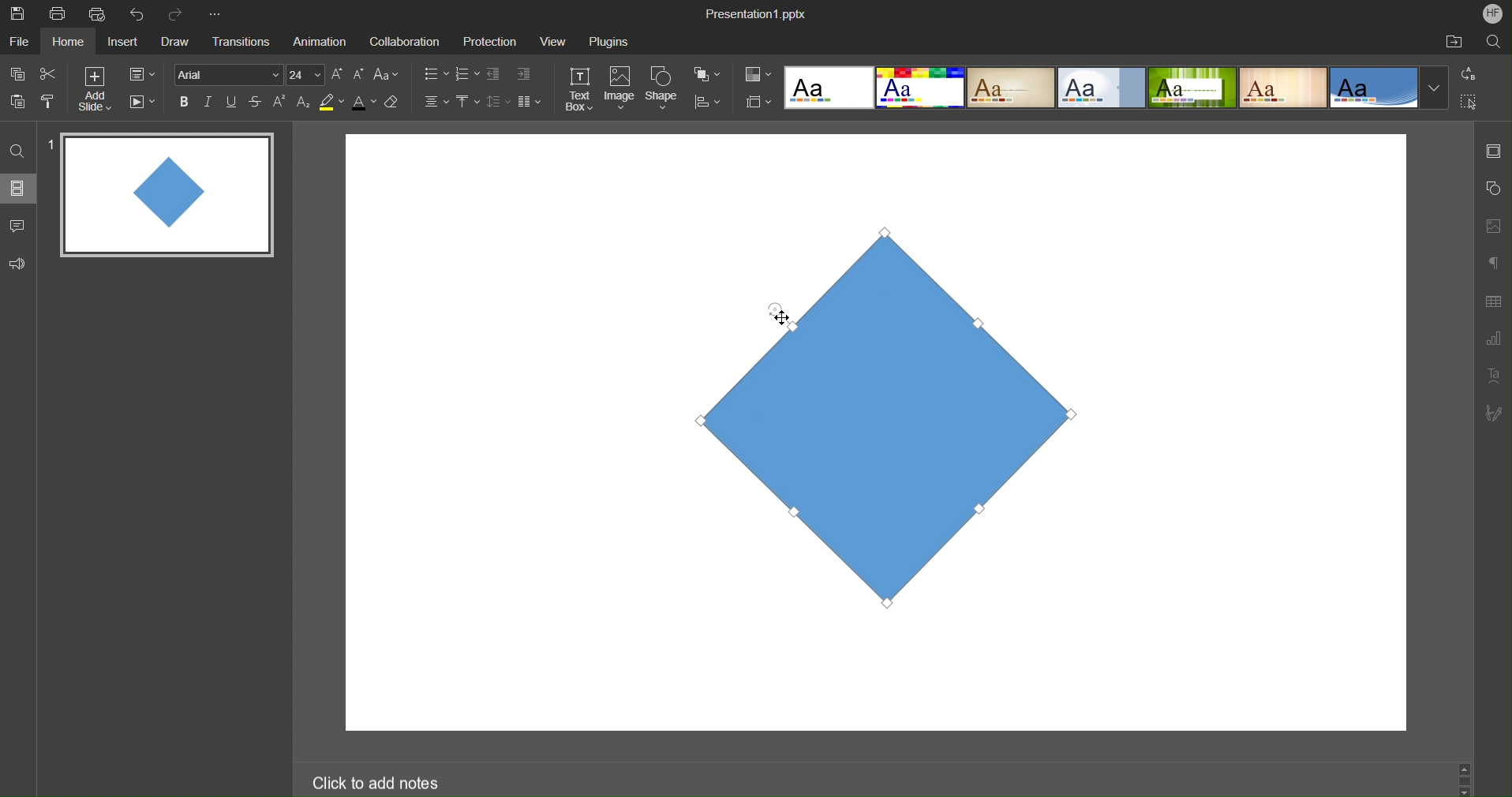 Image resolution: width=1512 pixels, height=797 pixels. I want to click on Underline, so click(230, 102).